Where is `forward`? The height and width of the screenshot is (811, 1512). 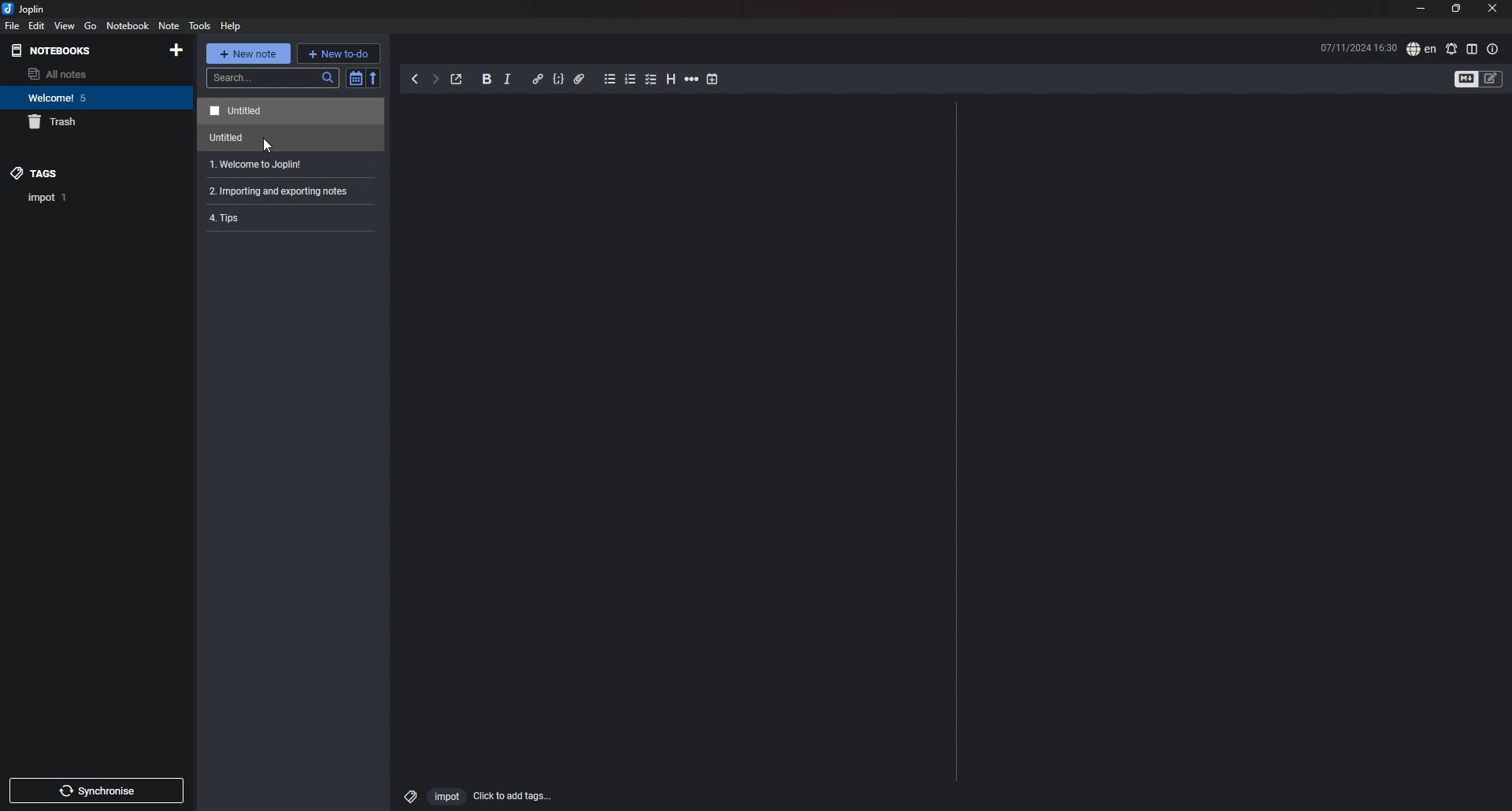 forward is located at coordinates (435, 81).